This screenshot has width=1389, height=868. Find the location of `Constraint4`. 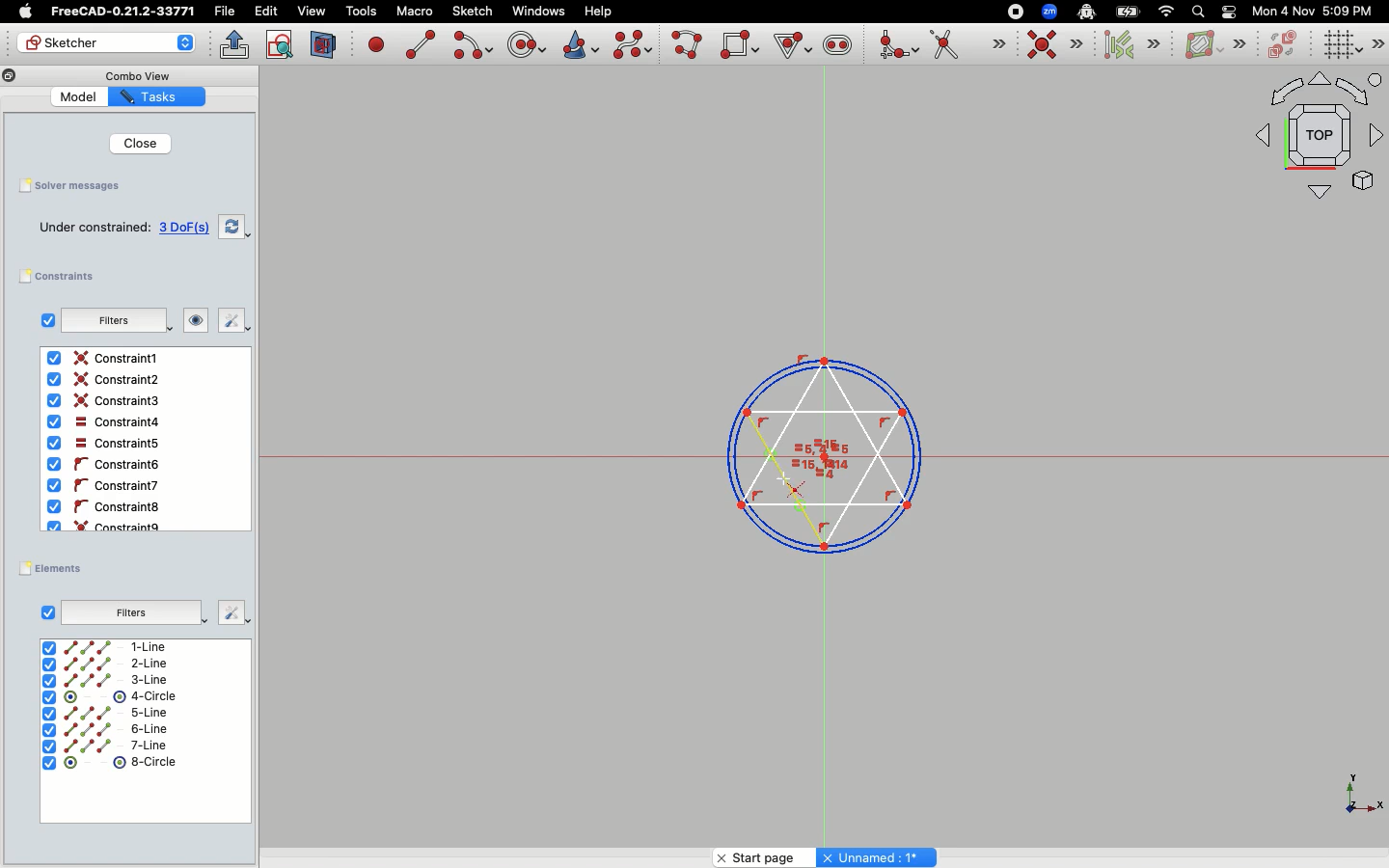

Constraint4 is located at coordinates (101, 422).